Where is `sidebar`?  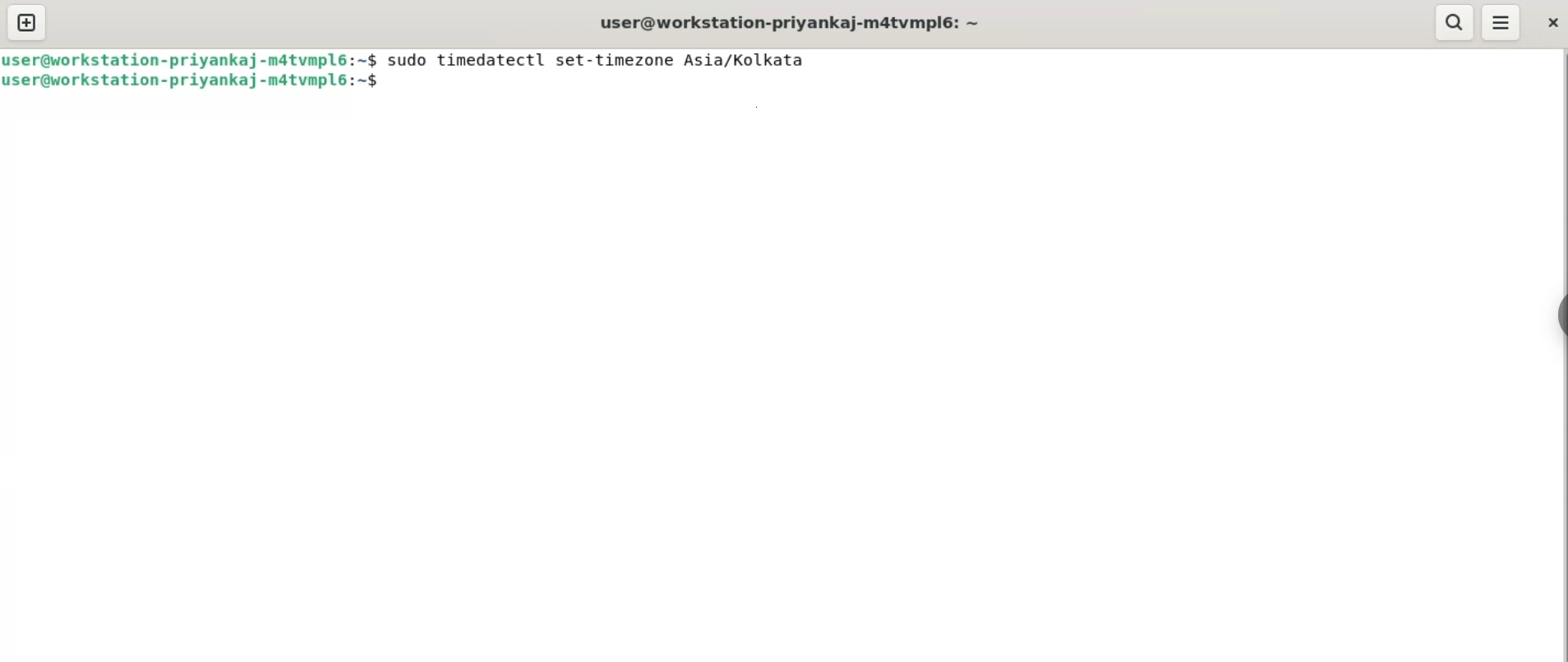 sidebar is located at coordinates (1566, 311).